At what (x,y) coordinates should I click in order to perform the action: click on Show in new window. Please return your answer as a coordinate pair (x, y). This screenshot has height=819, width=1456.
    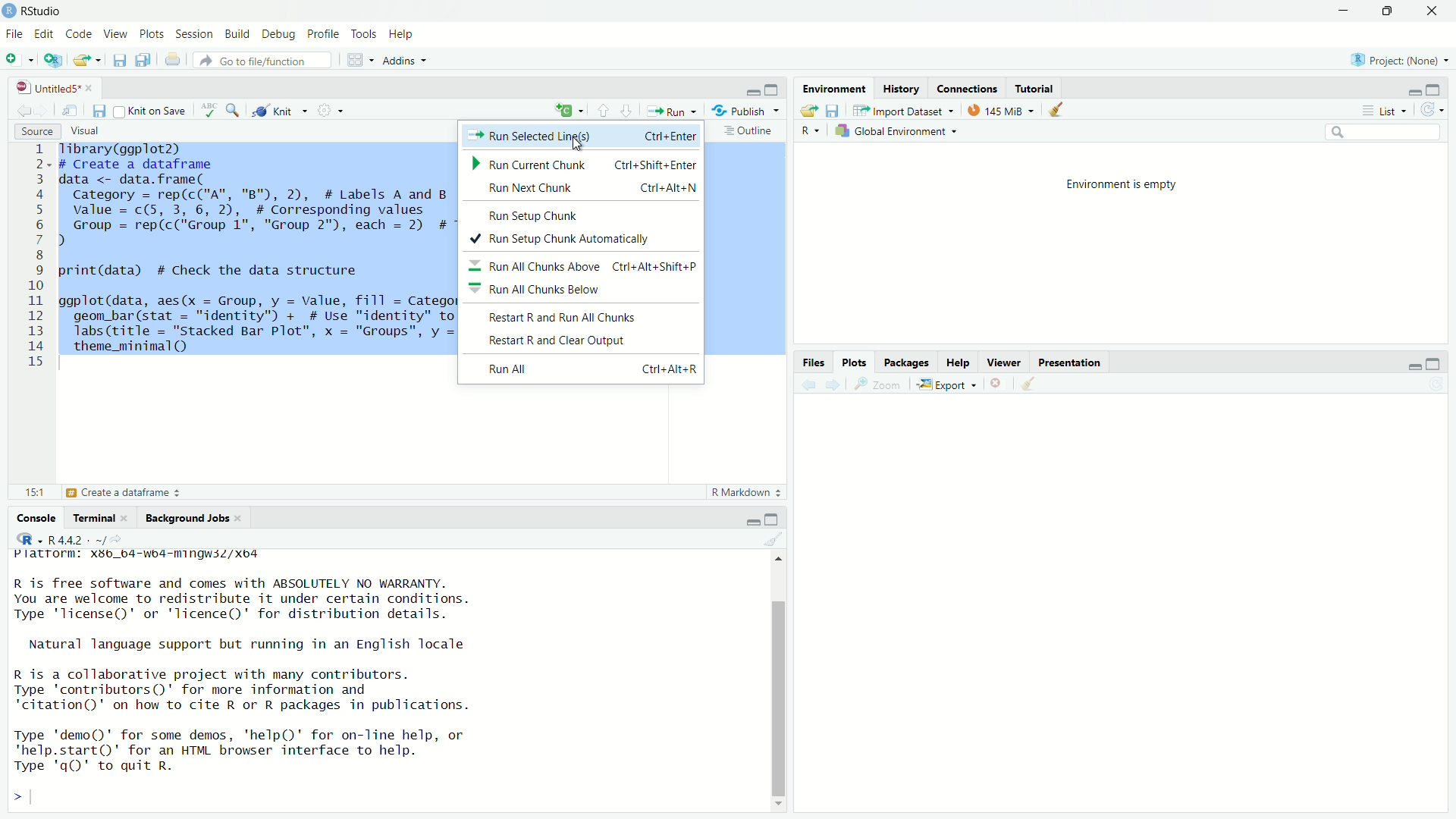
    Looking at the image, I should click on (71, 109).